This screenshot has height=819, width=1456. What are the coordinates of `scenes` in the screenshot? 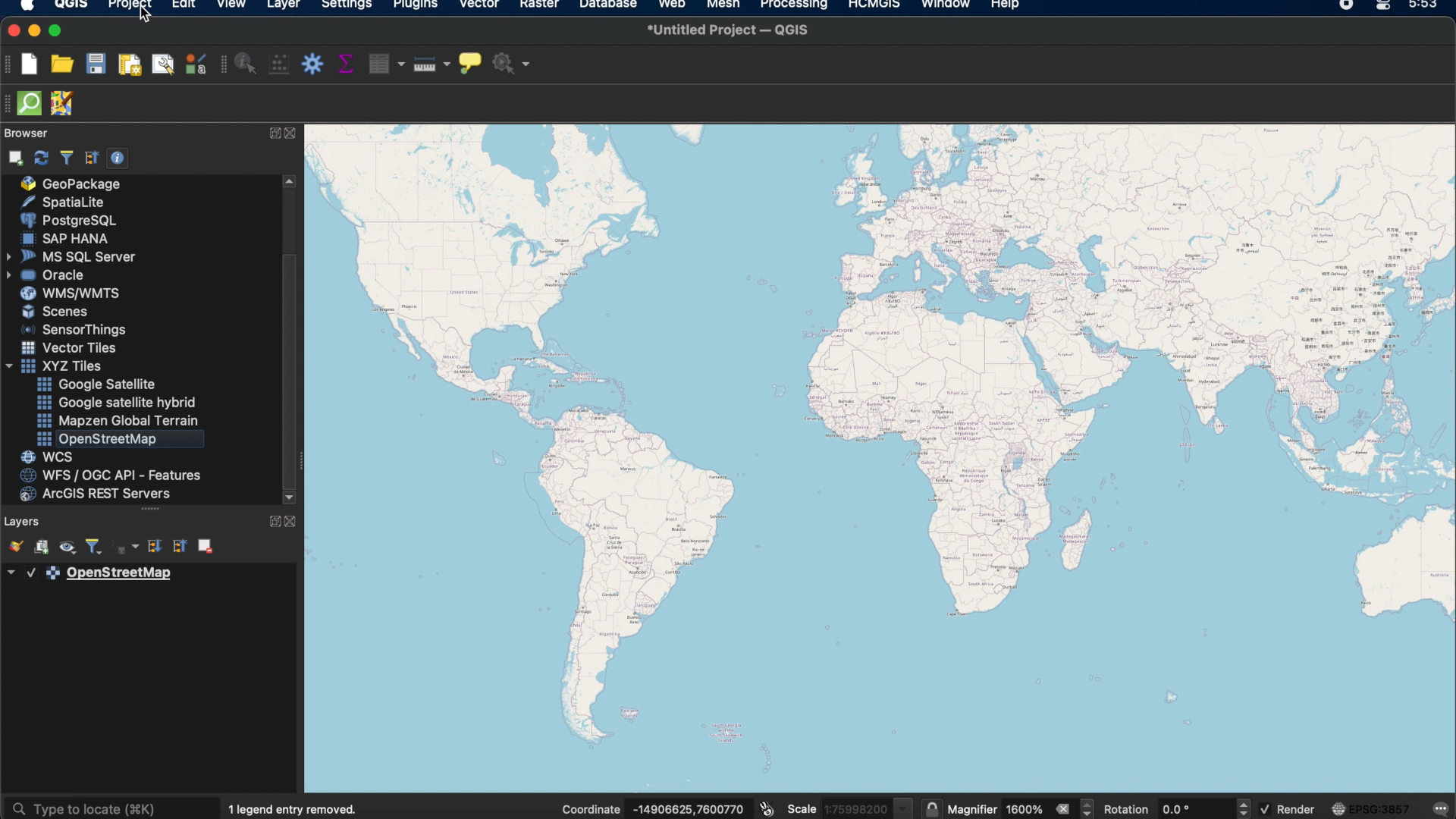 It's located at (51, 310).